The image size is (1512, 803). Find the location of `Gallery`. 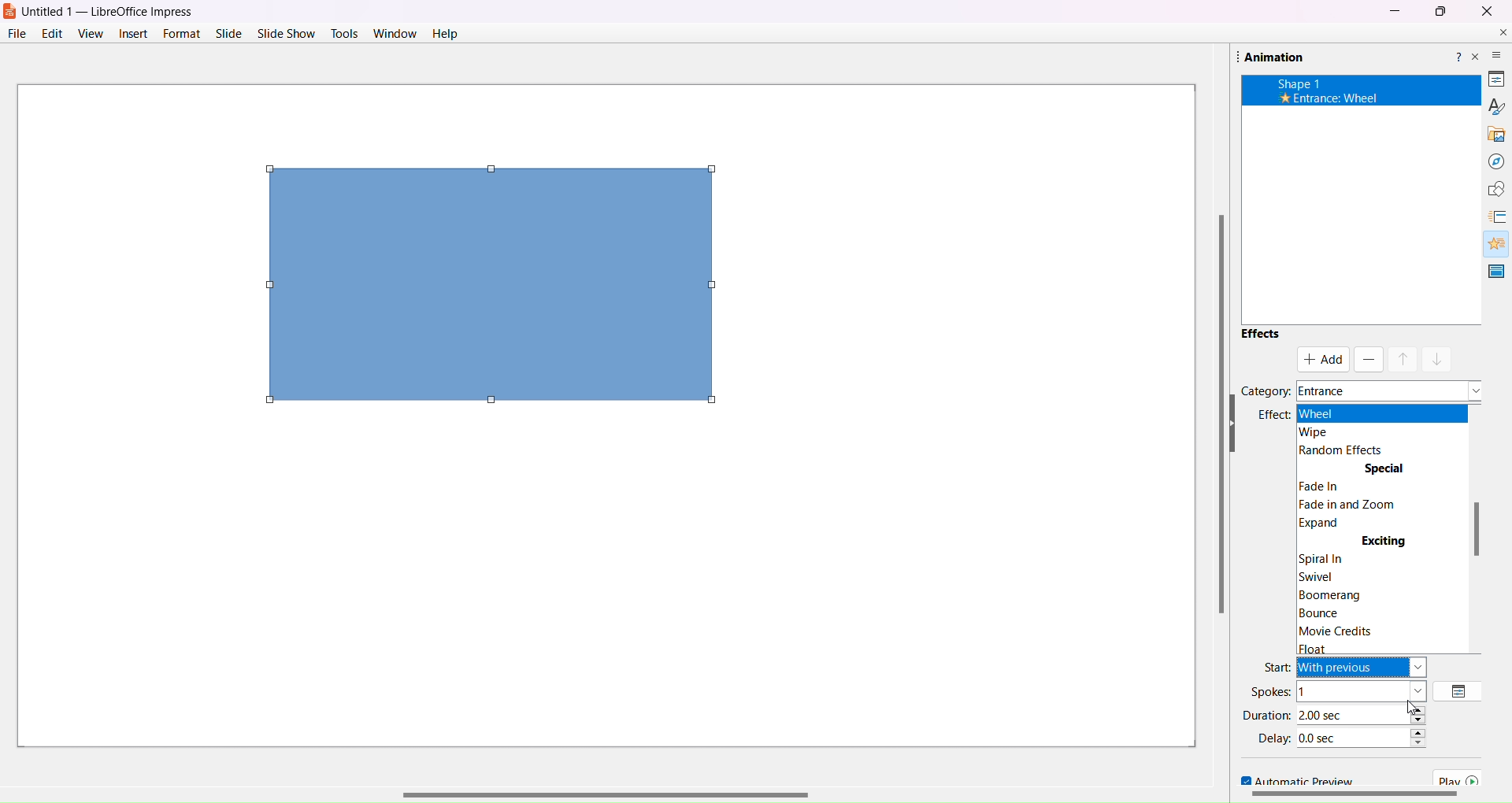

Gallery is located at coordinates (1491, 131).